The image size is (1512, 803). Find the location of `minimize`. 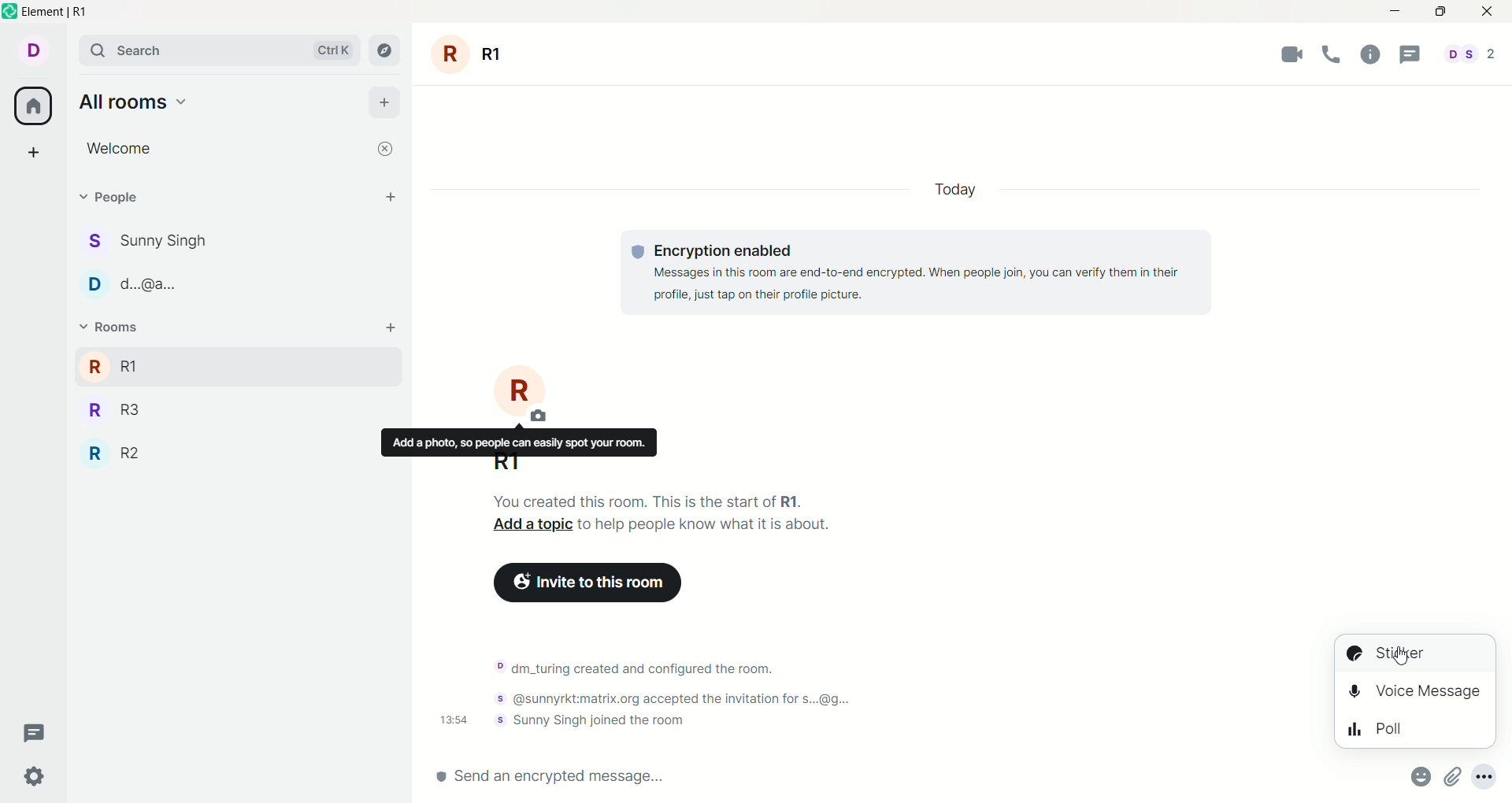

minimize is located at coordinates (1395, 12).